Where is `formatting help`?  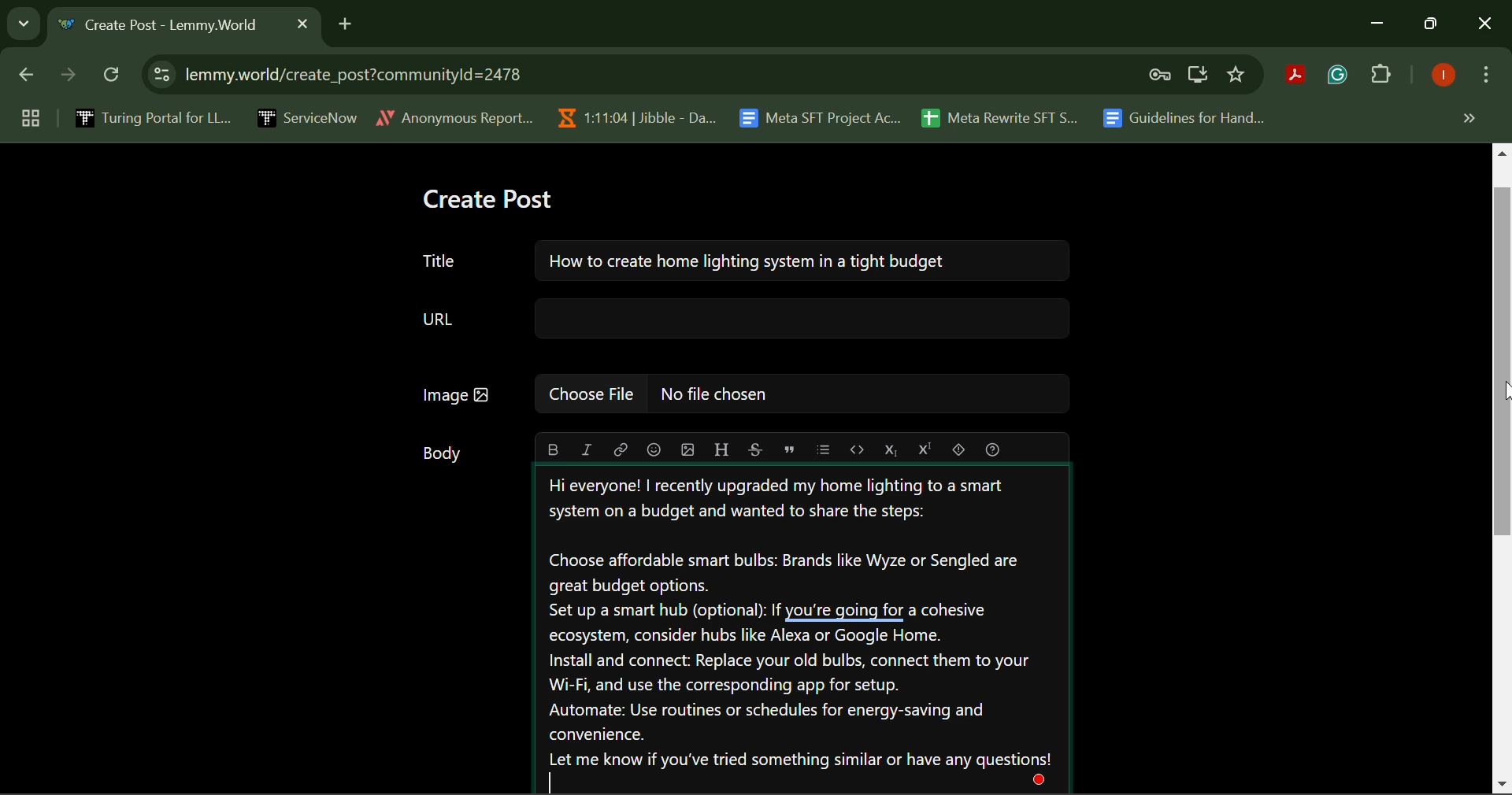 formatting help is located at coordinates (989, 449).